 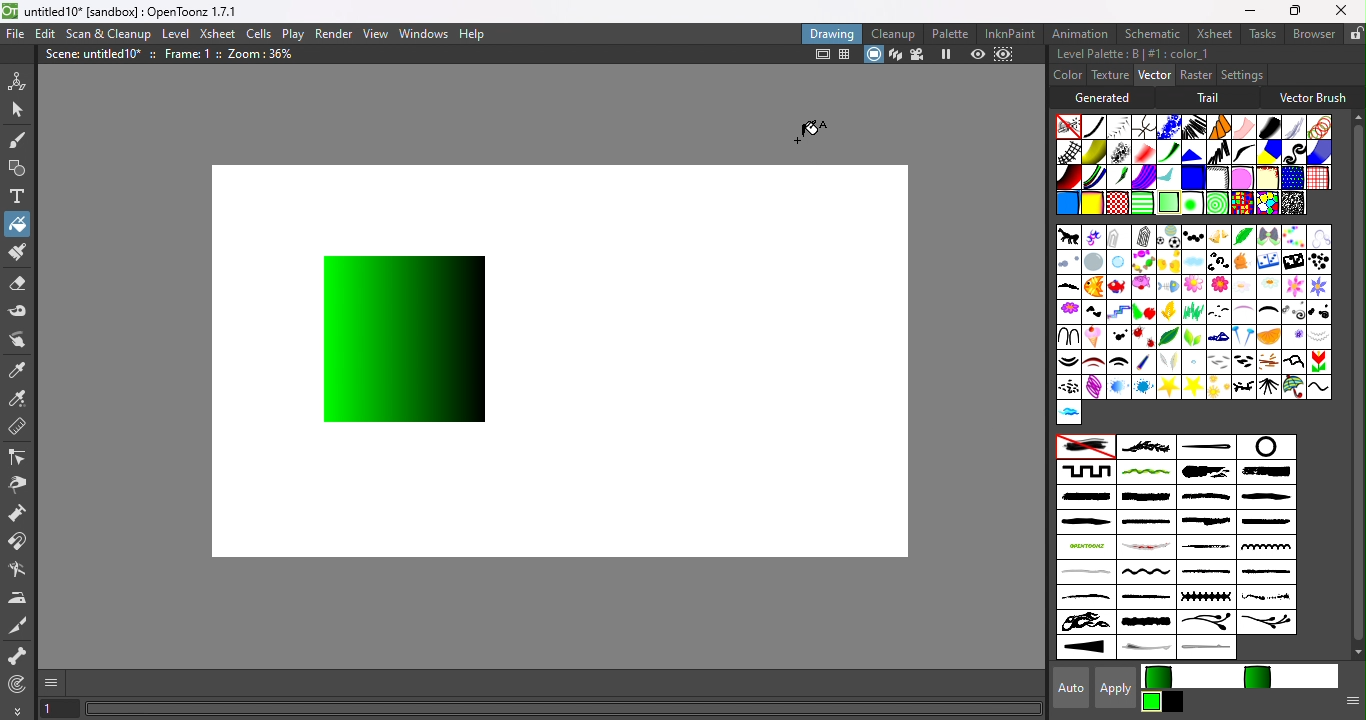 I want to click on Pare, so click(x=1321, y=336).